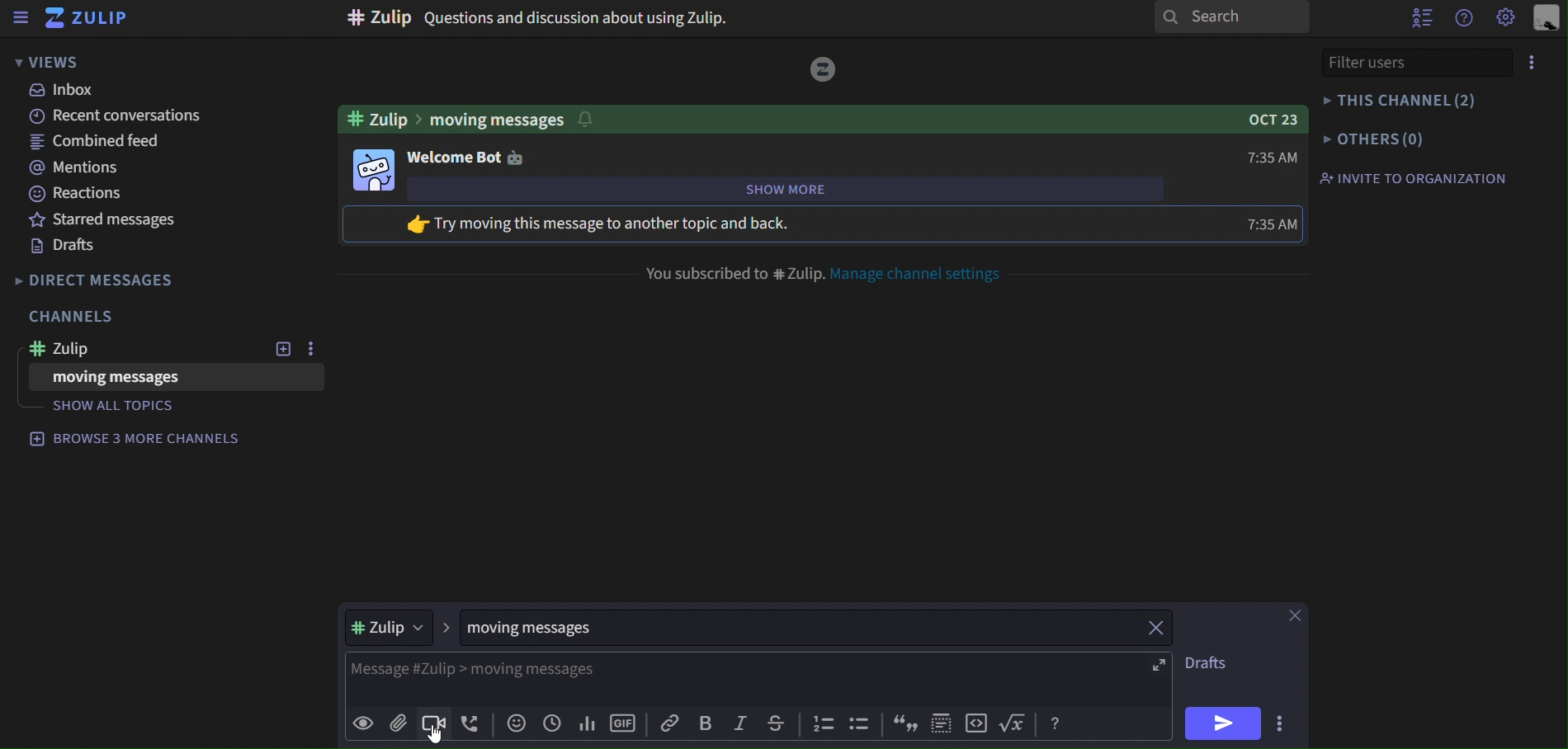 The height and width of the screenshot is (749, 1568). I want to click on icon, so click(857, 723).